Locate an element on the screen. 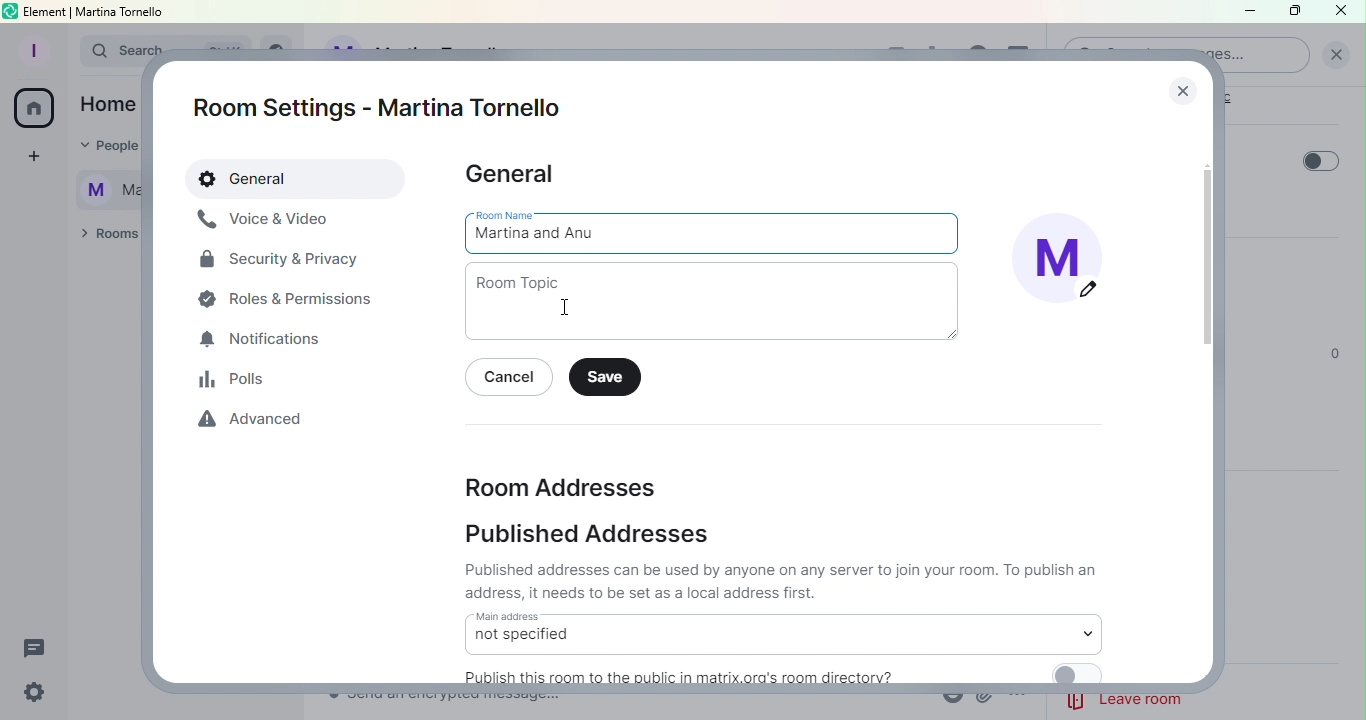 The height and width of the screenshot is (720, 1366). Close is located at coordinates (1346, 12).